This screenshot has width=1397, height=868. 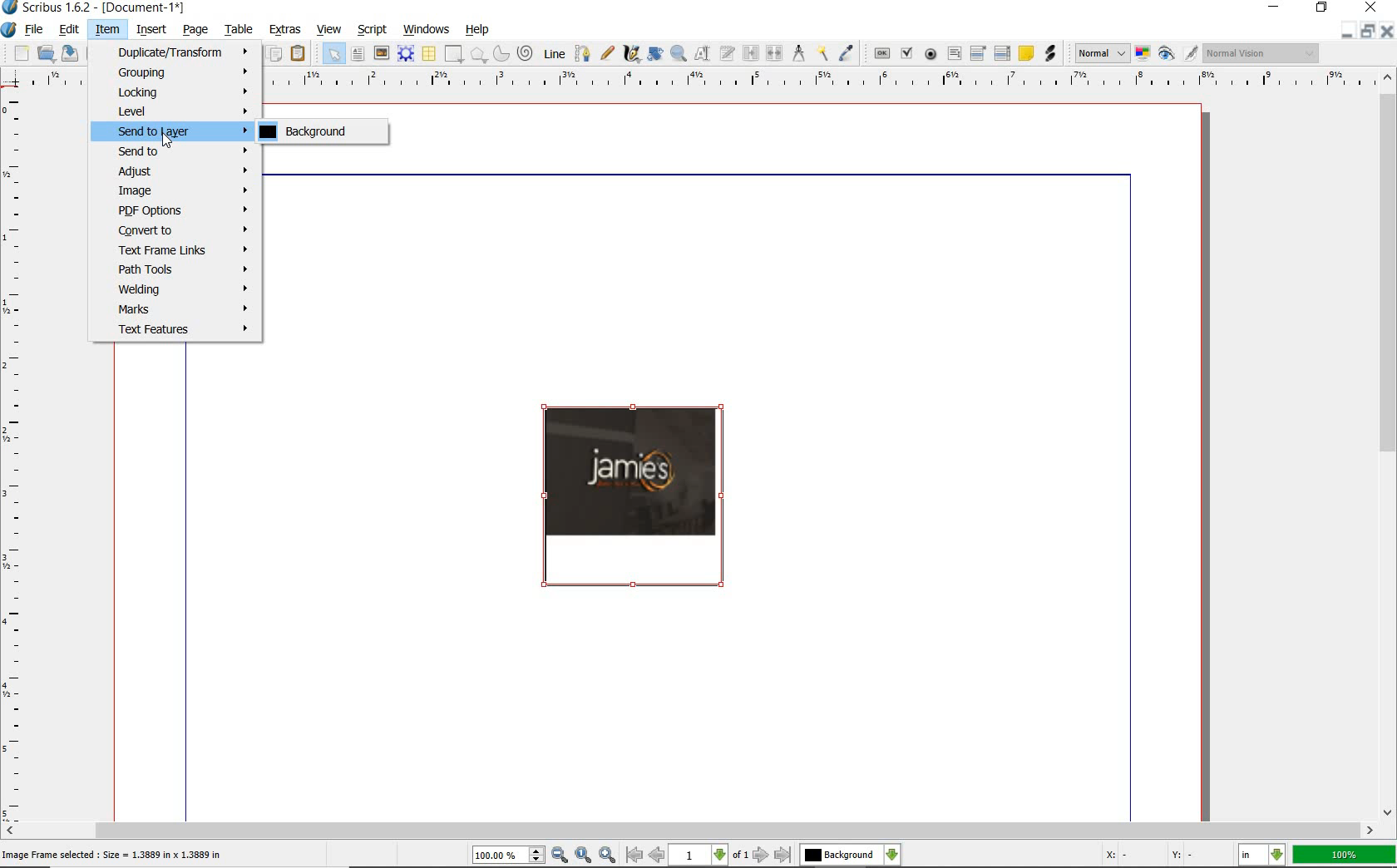 I want to click on Convert to, so click(x=177, y=229).